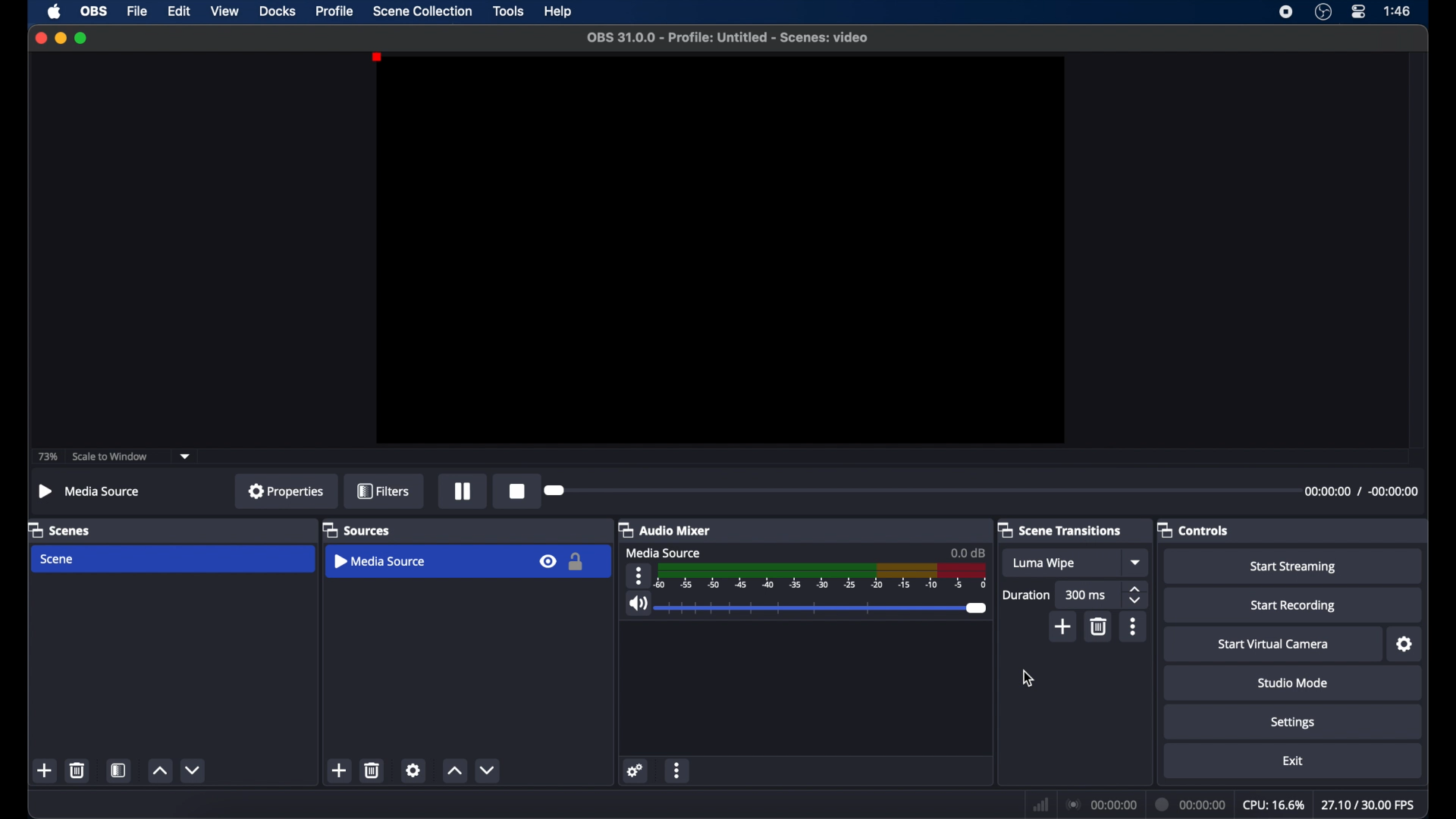  Describe the element at coordinates (576, 563) in the screenshot. I see `lock icon` at that location.